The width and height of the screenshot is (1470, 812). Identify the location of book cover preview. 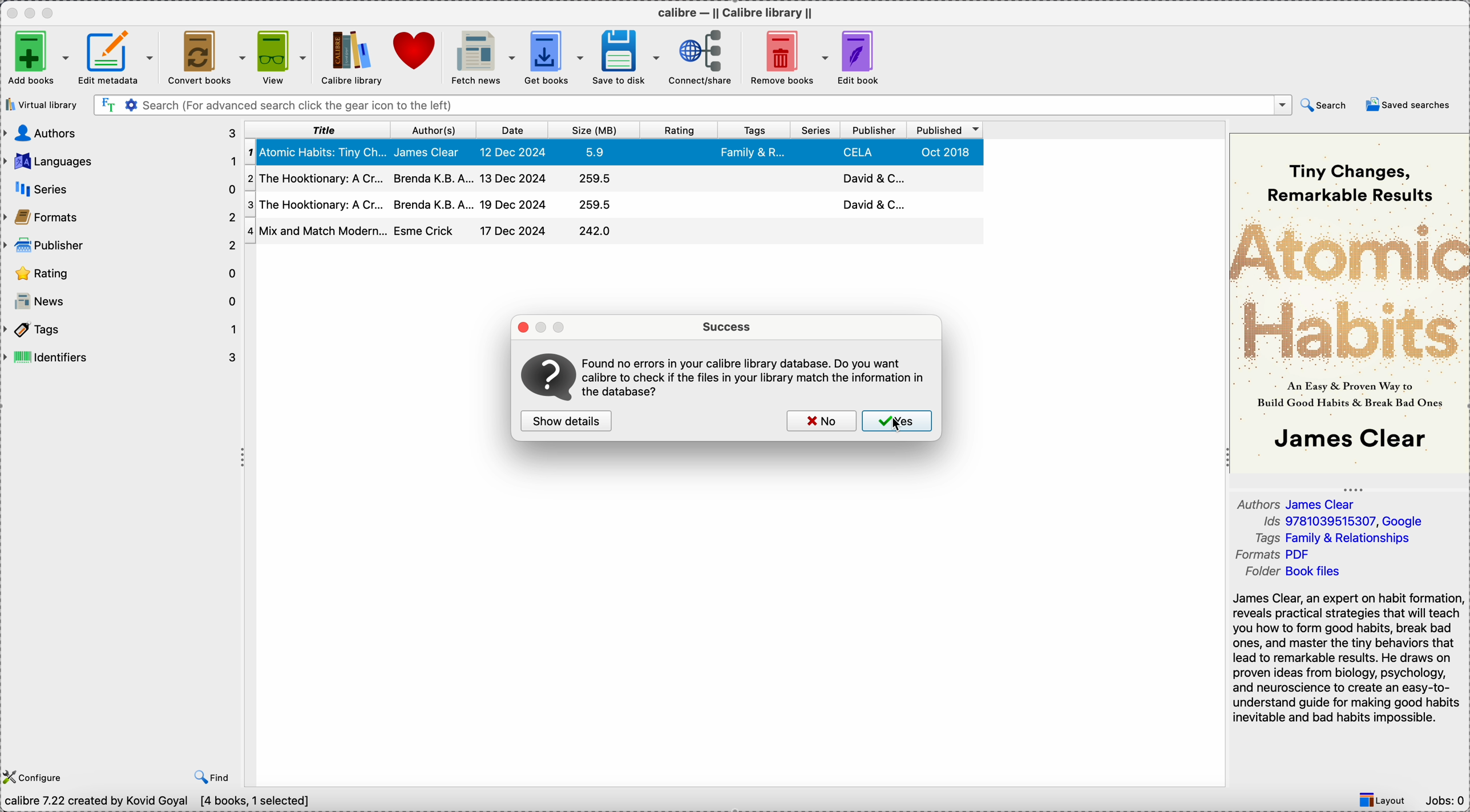
(1348, 302).